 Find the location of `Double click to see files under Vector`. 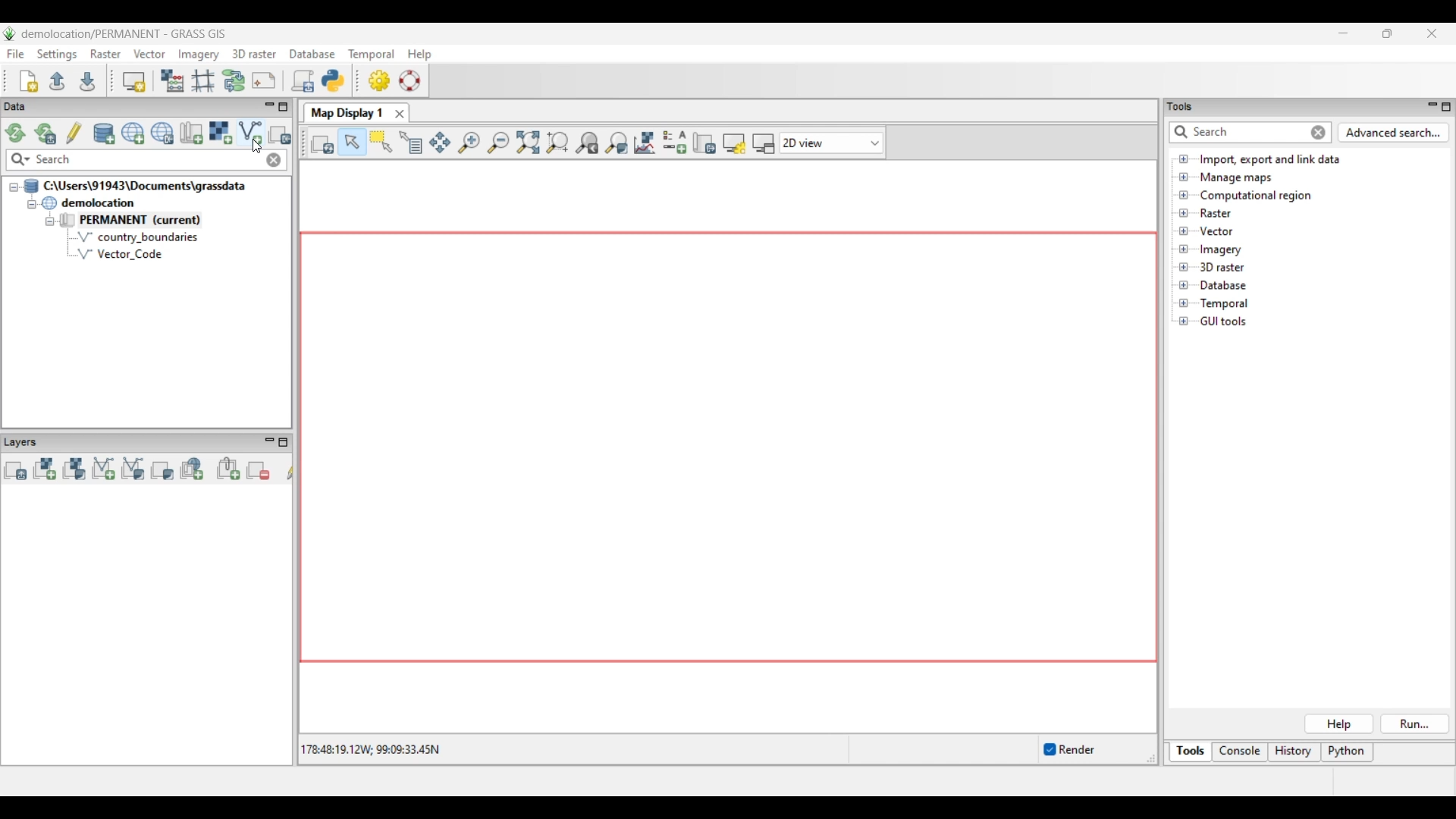

Double click to see files under Vector is located at coordinates (1216, 231).